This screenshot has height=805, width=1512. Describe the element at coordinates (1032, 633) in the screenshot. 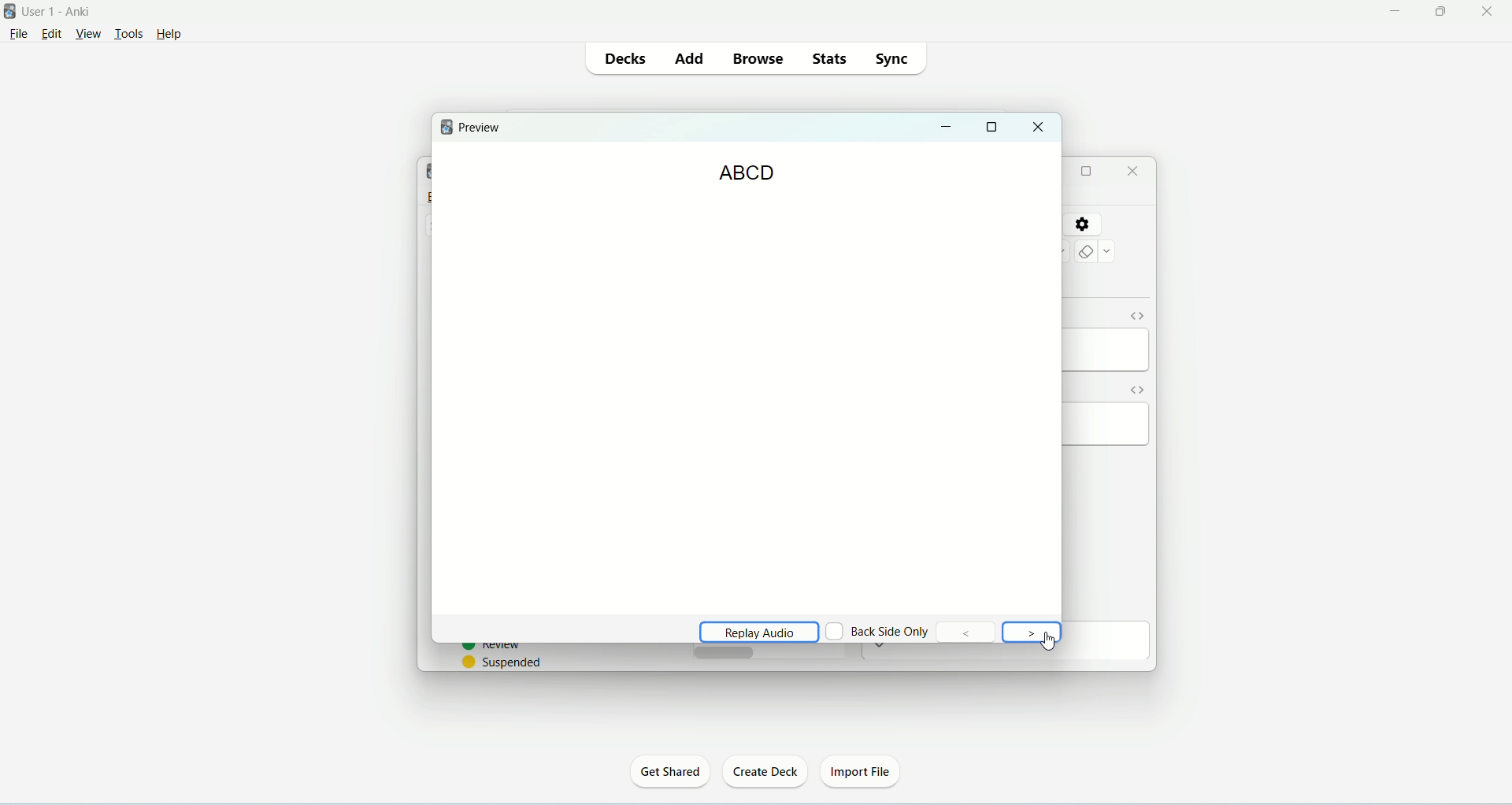

I see `Next` at that location.